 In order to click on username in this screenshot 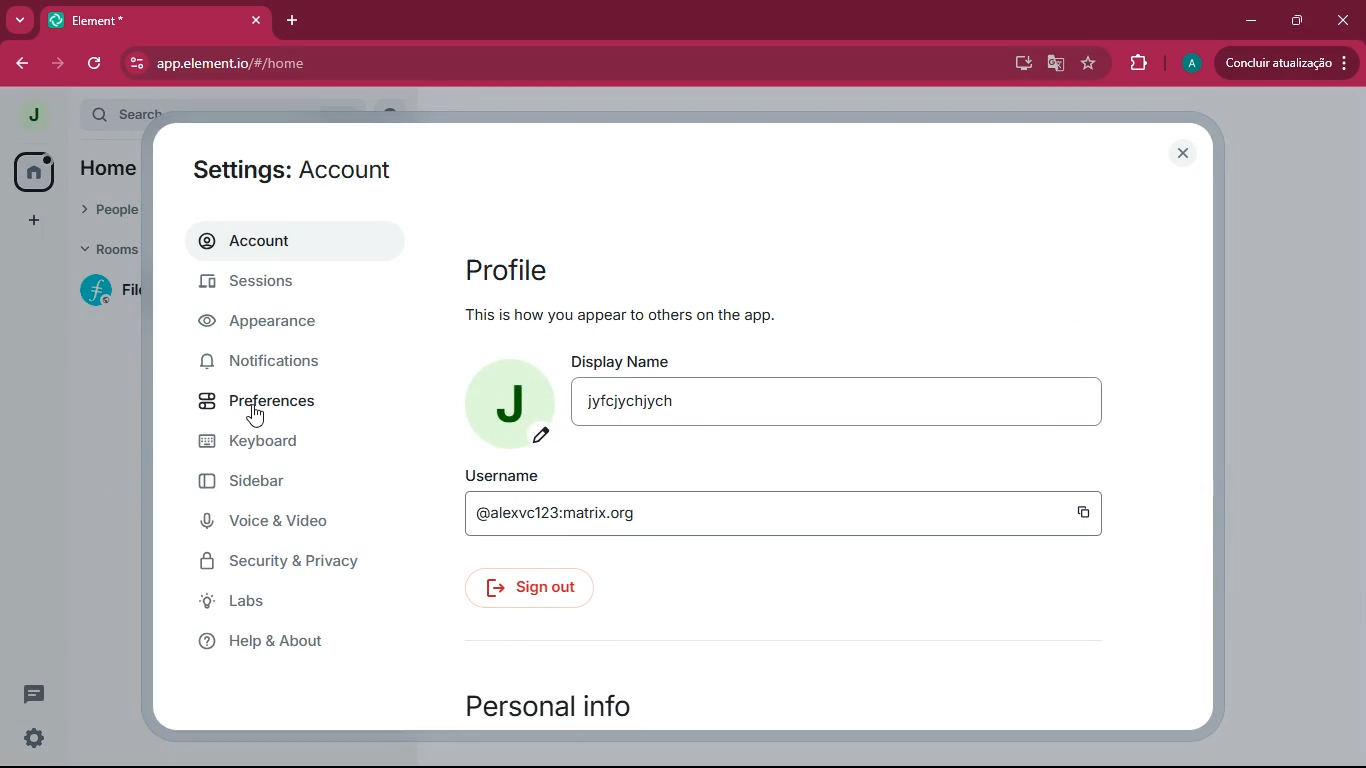, I will do `click(500, 476)`.